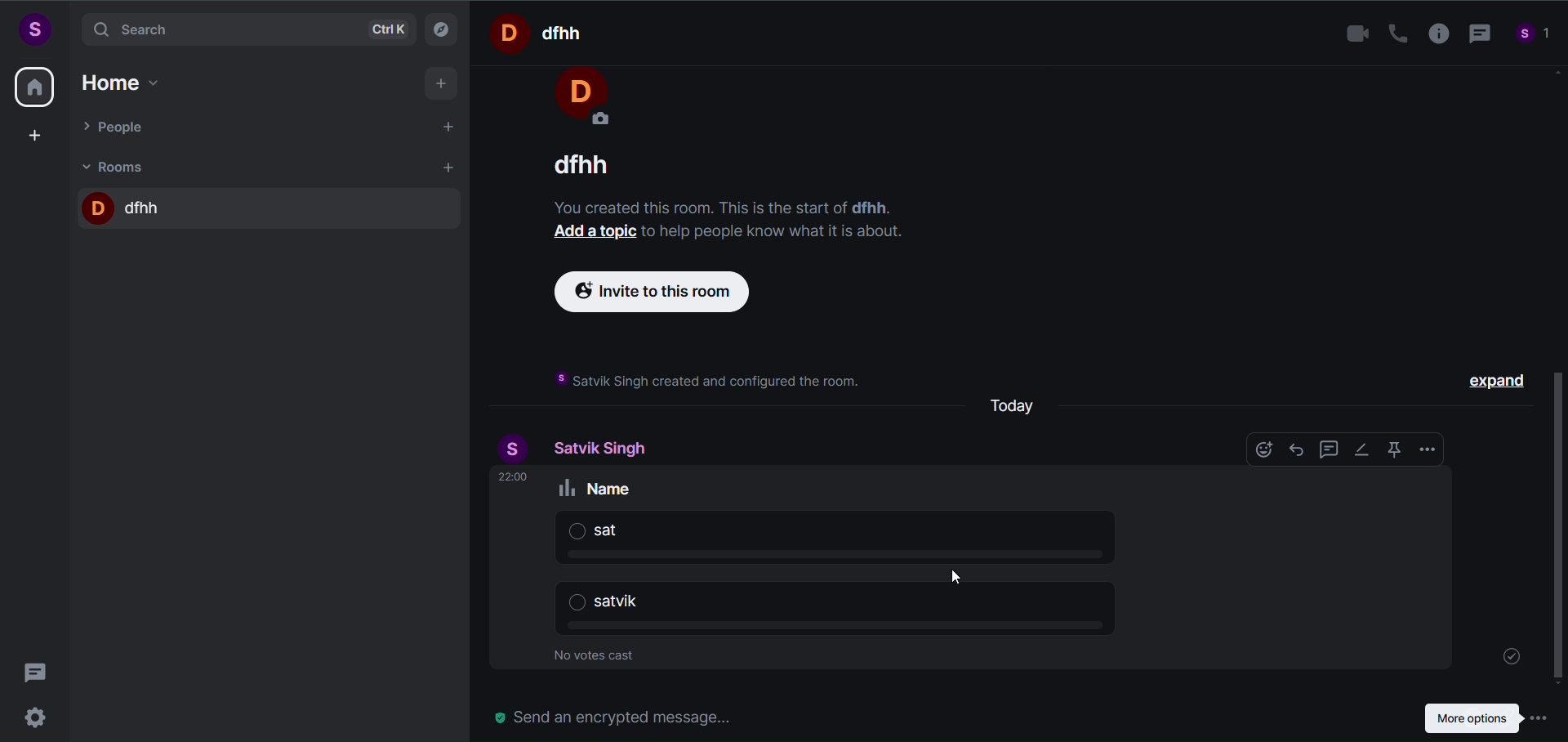 This screenshot has height=742, width=1568. I want to click on today, so click(1015, 401).